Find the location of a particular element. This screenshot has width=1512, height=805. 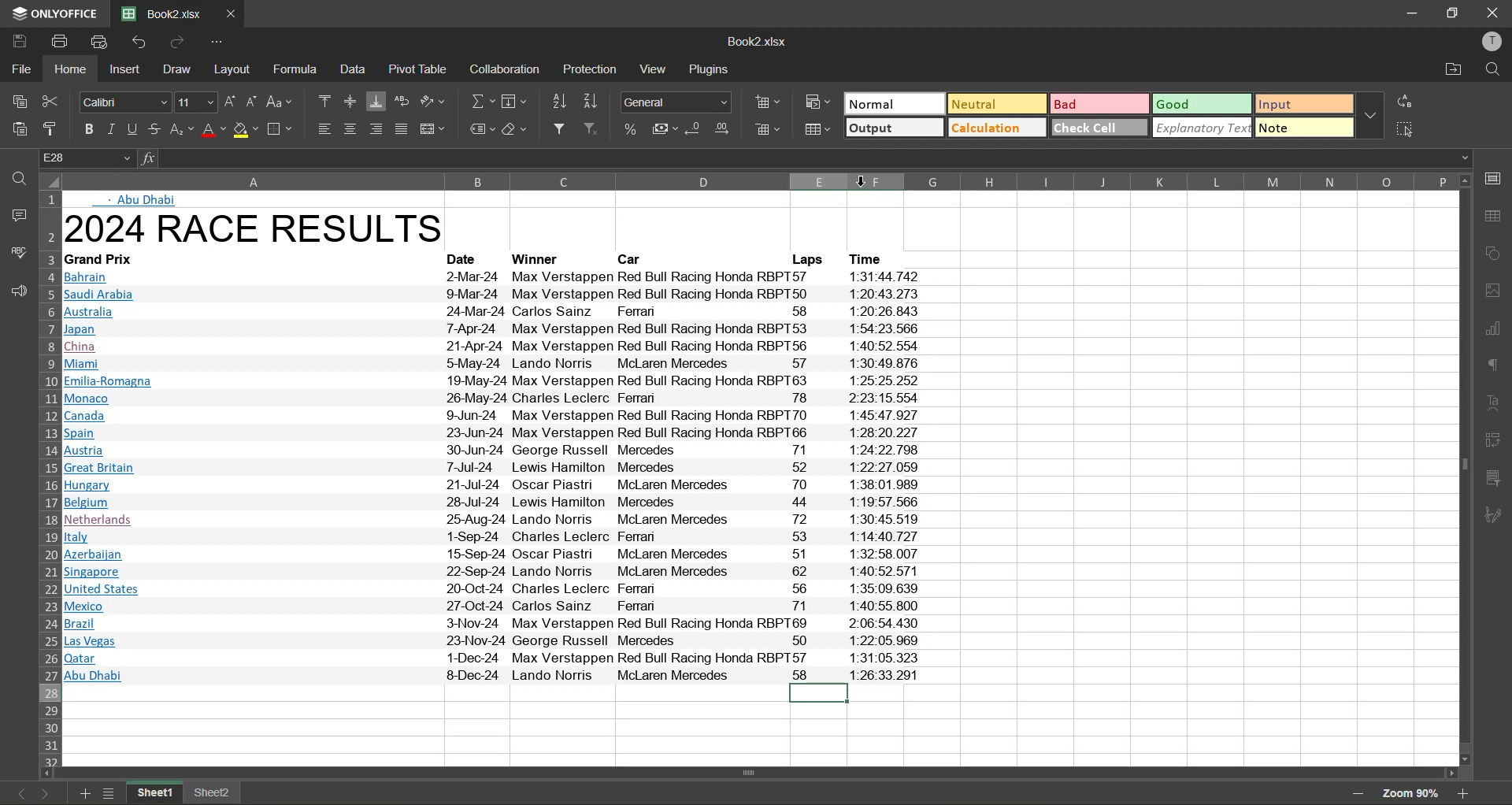

draw is located at coordinates (175, 69).